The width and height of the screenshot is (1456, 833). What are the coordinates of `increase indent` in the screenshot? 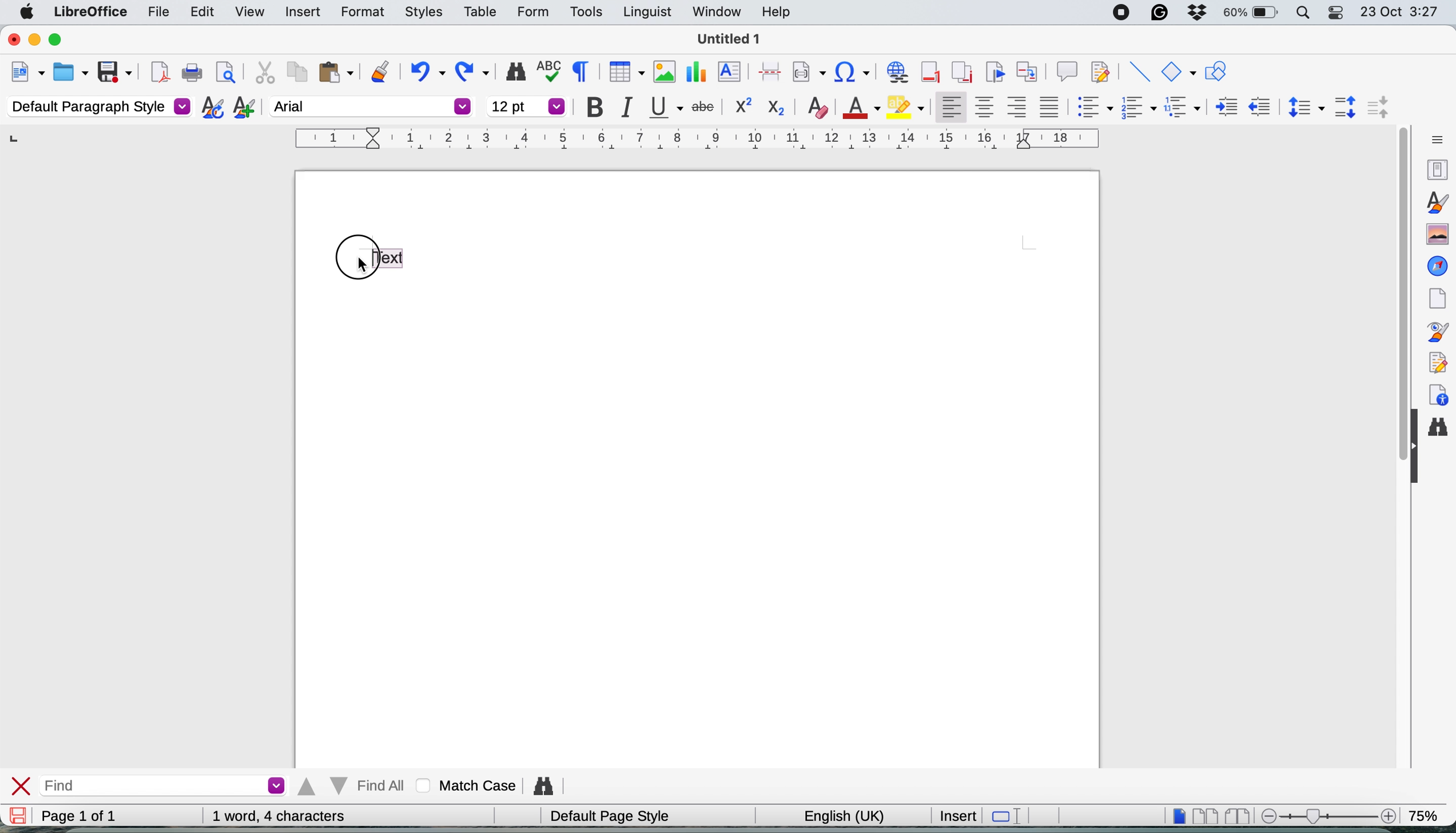 It's located at (1220, 107).